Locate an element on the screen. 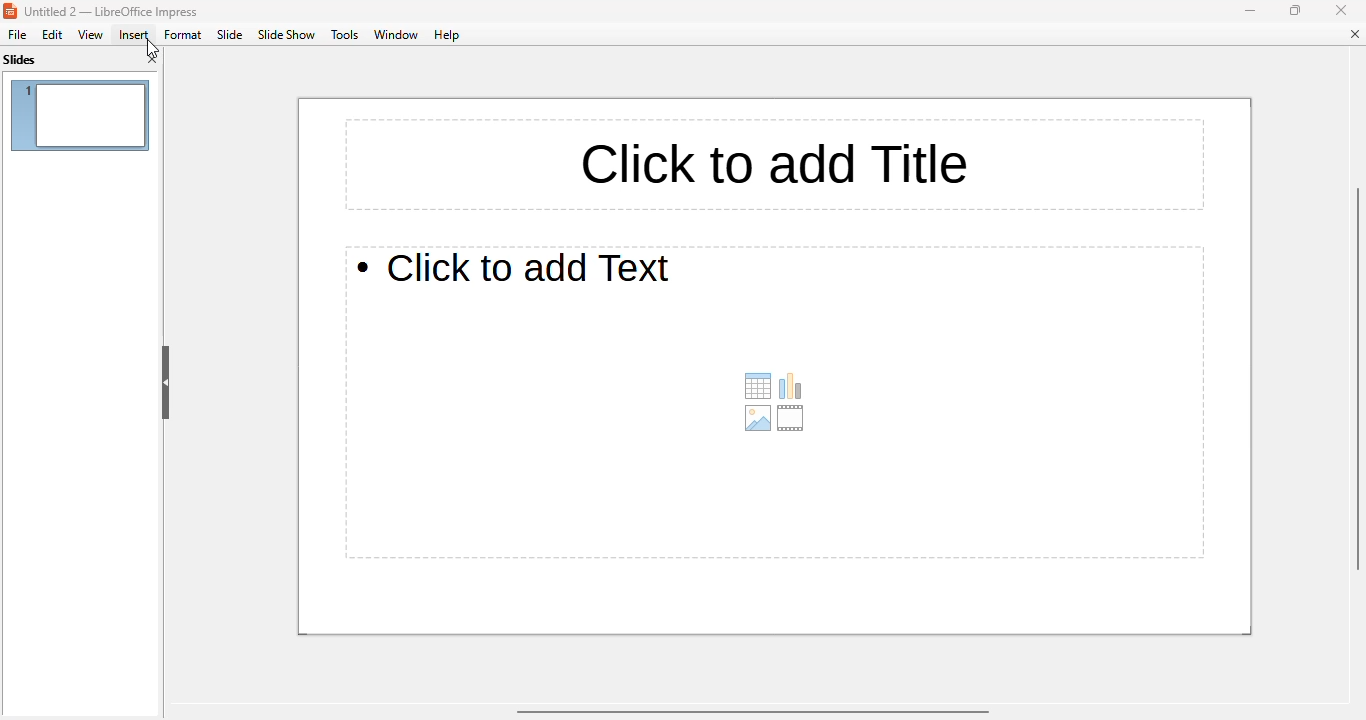 The width and height of the screenshot is (1366, 720). hide is located at coordinates (166, 384).